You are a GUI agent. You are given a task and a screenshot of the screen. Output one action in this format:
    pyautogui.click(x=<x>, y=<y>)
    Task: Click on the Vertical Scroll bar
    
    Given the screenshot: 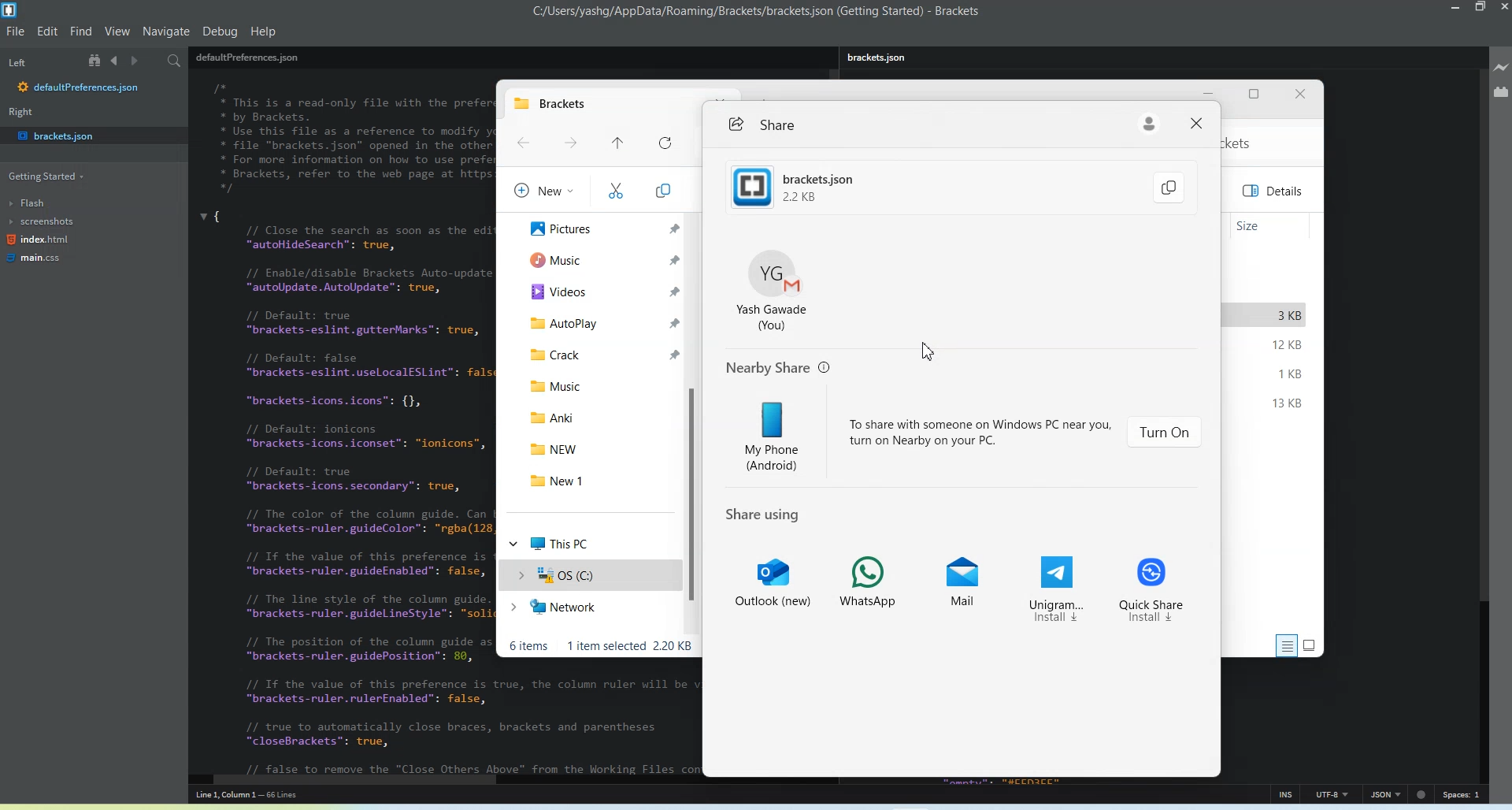 What is the action you would take?
    pyautogui.click(x=1482, y=422)
    